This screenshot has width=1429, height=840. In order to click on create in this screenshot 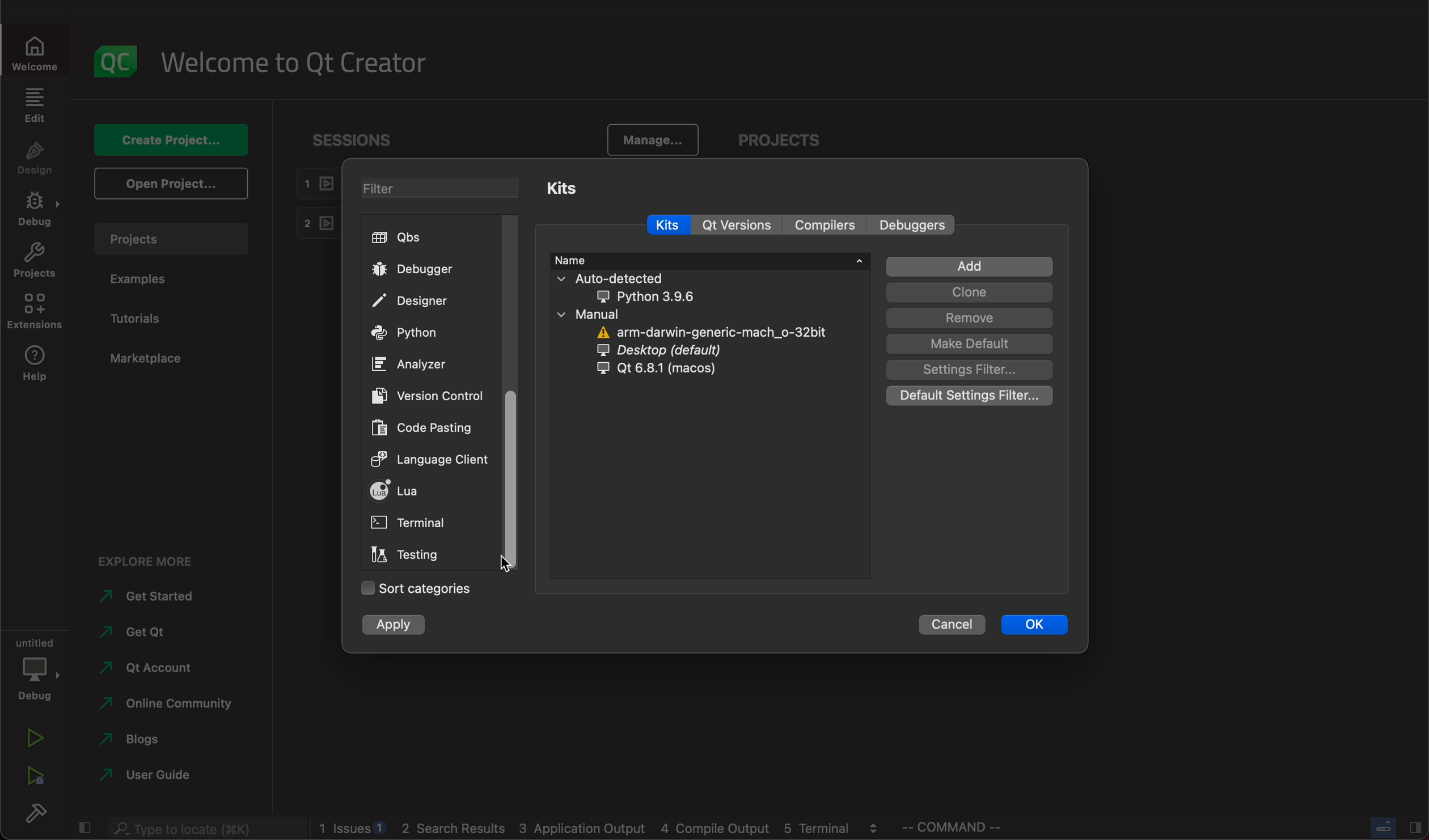, I will do `click(167, 142)`.